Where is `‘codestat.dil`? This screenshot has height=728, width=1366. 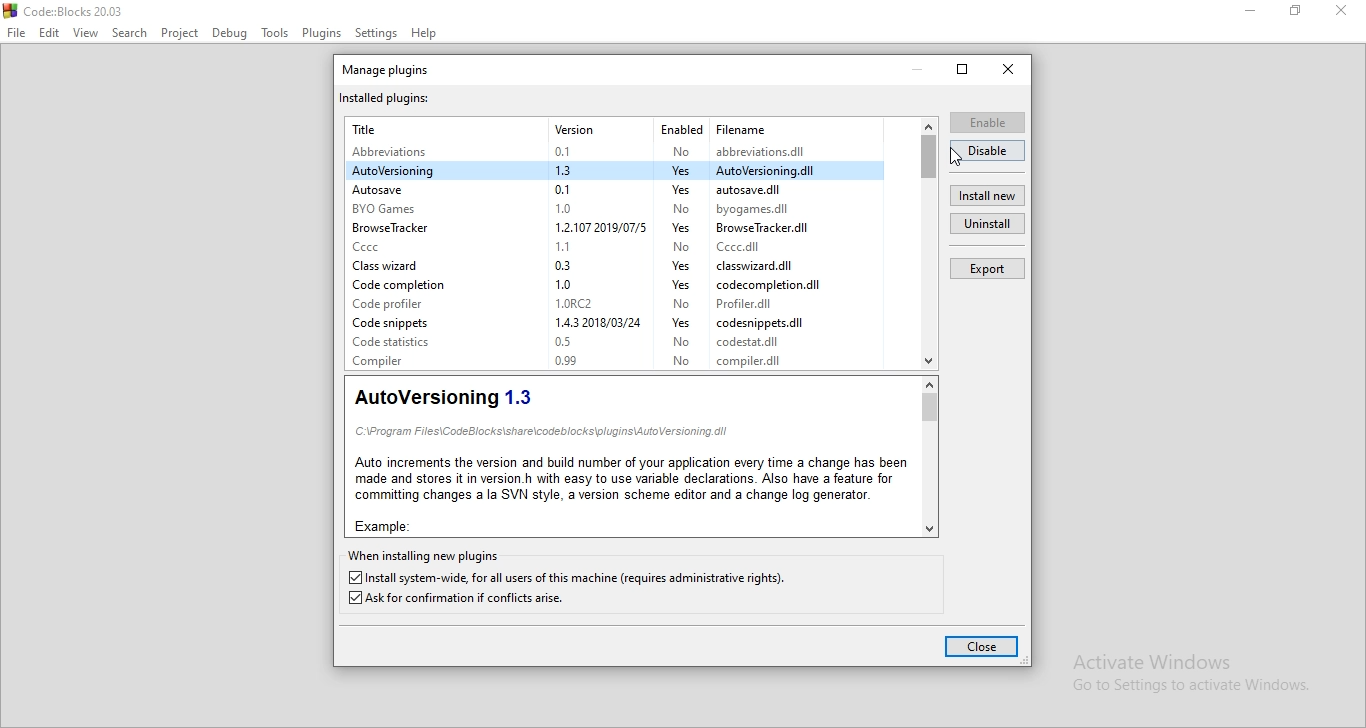 ‘codestat.dil is located at coordinates (752, 345).